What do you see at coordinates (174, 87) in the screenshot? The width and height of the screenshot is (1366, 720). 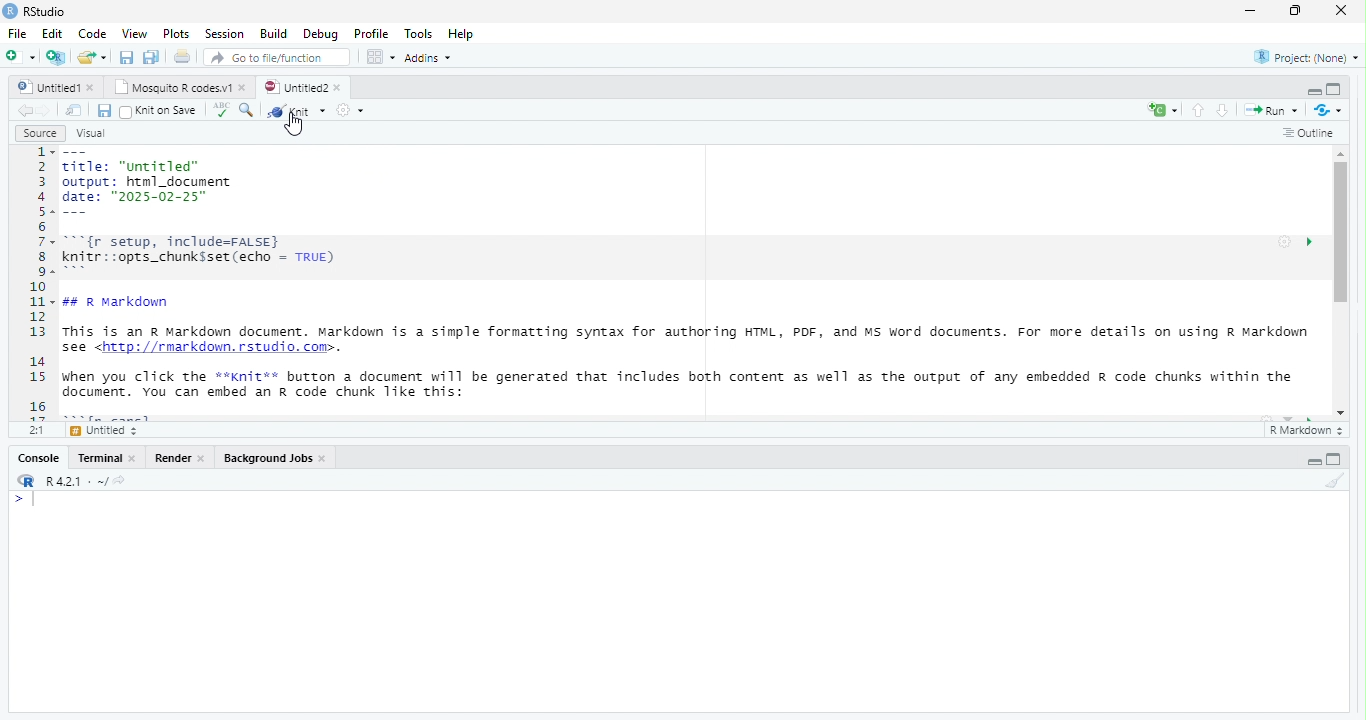 I see `Mosquito R codes.v1` at bounding box center [174, 87].